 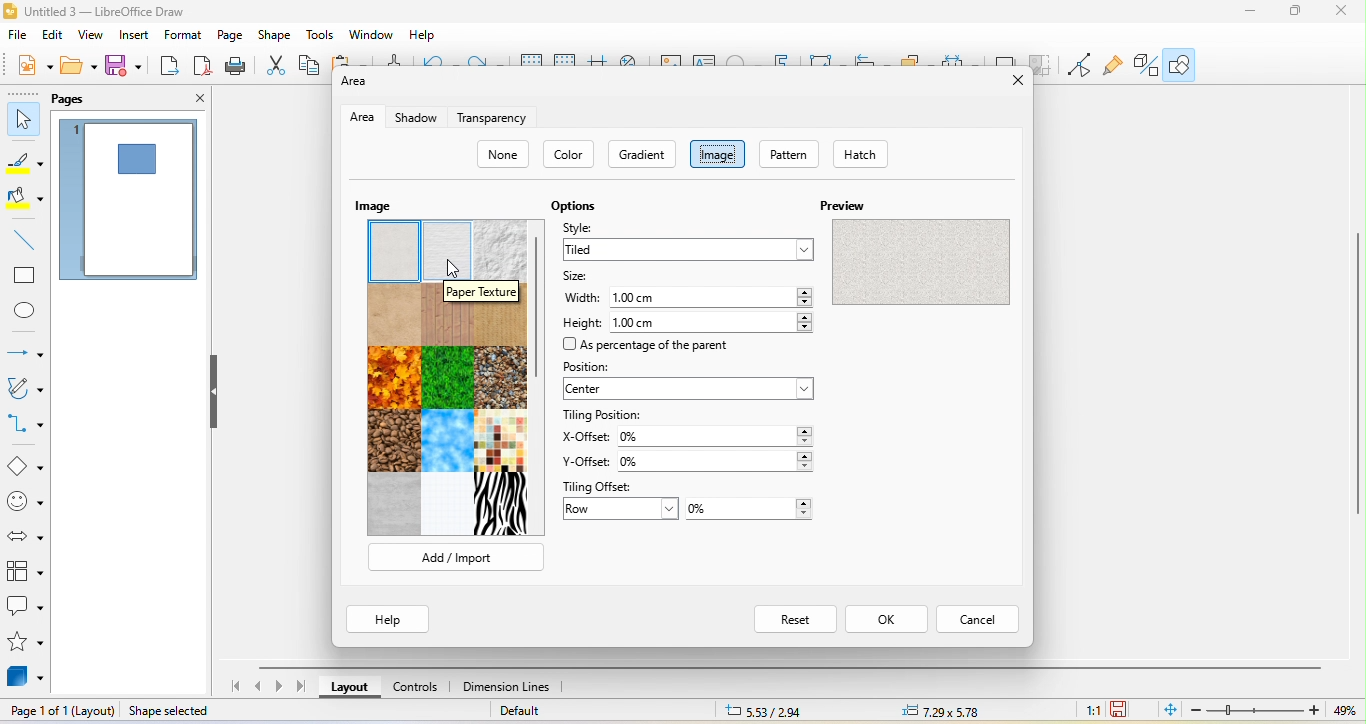 What do you see at coordinates (576, 203) in the screenshot?
I see `option` at bounding box center [576, 203].